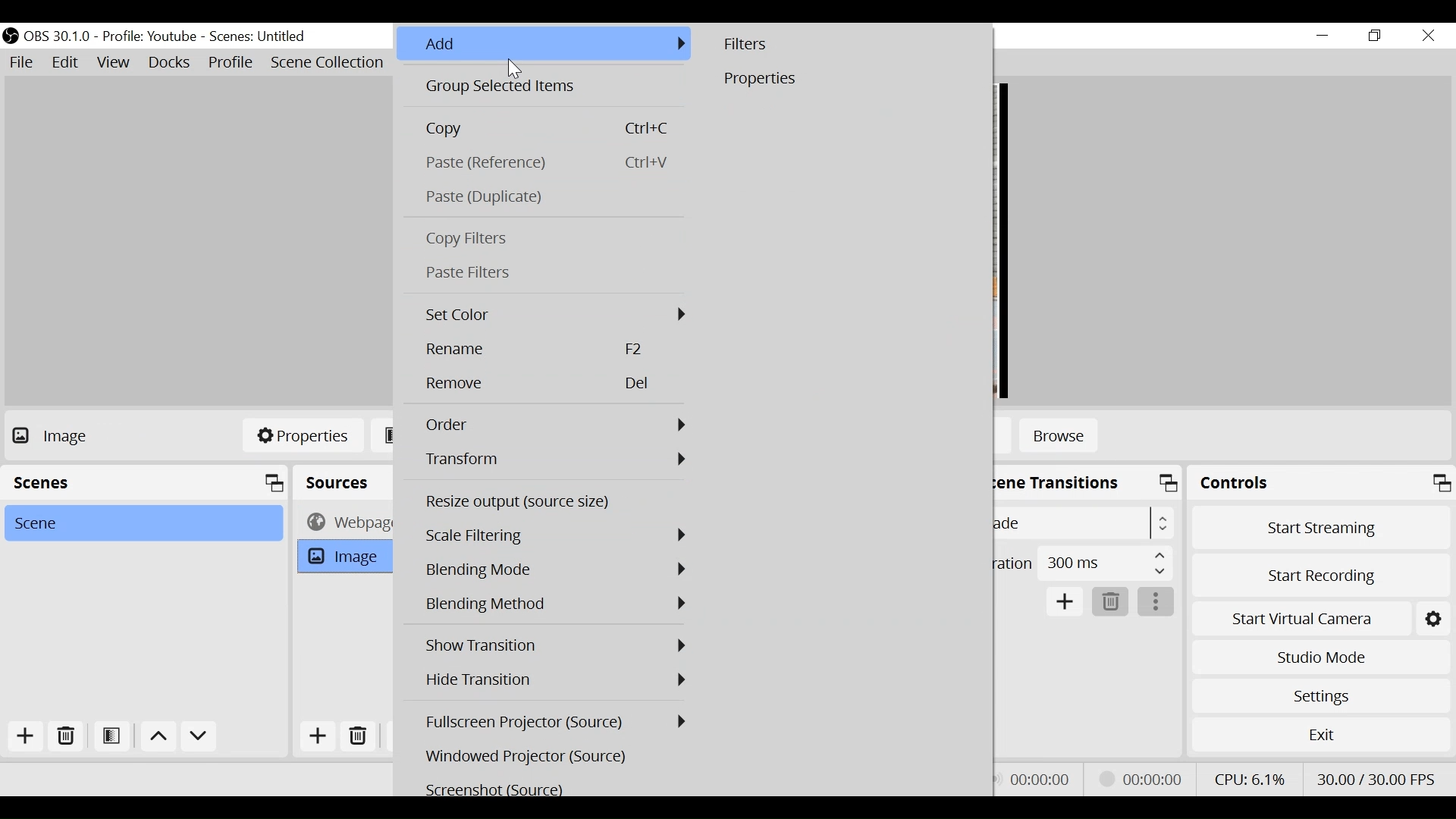 The image size is (1456, 819). I want to click on Cursor, so click(517, 71).